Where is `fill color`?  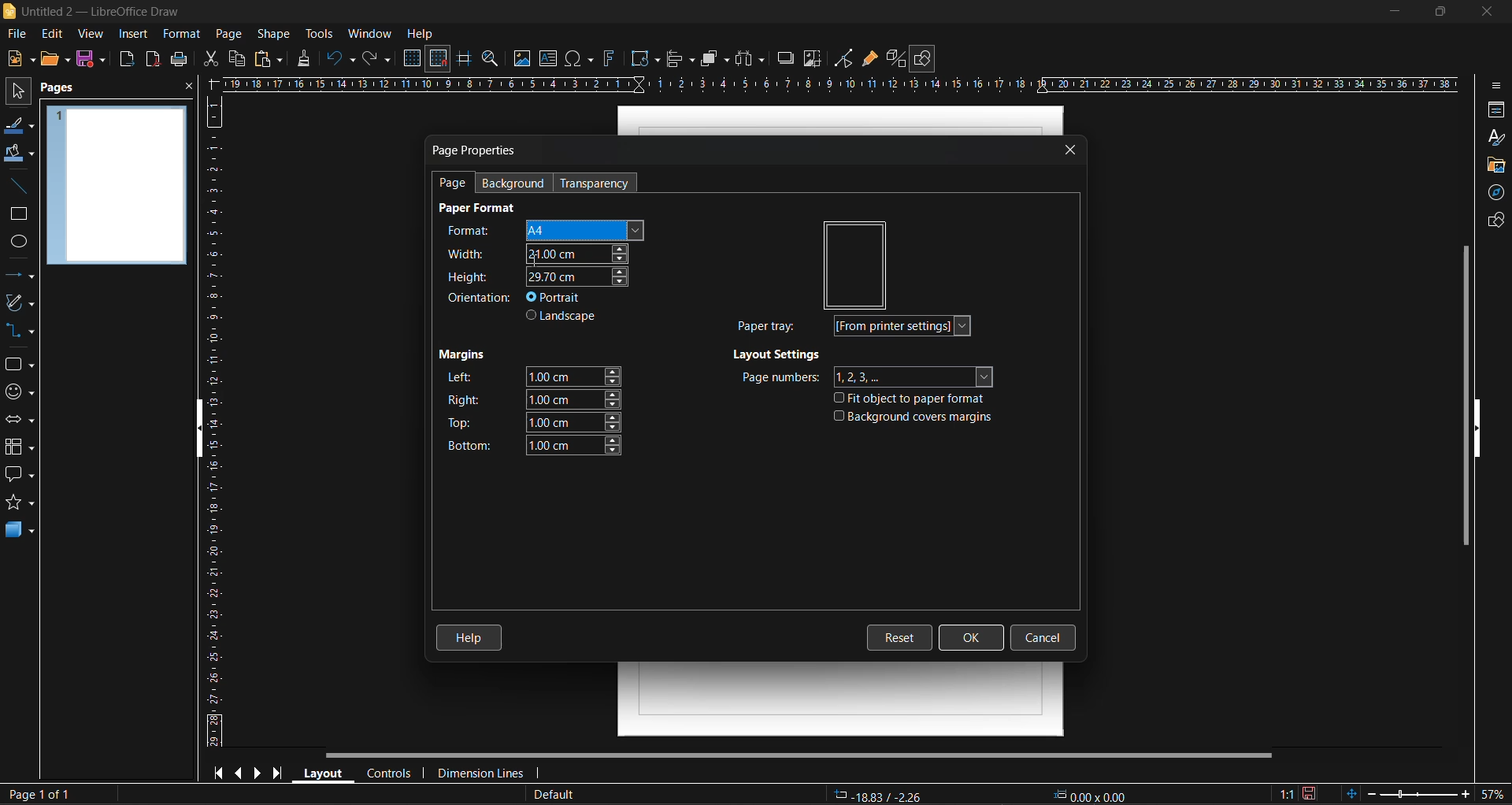
fill color is located at coordinates (18, 154).